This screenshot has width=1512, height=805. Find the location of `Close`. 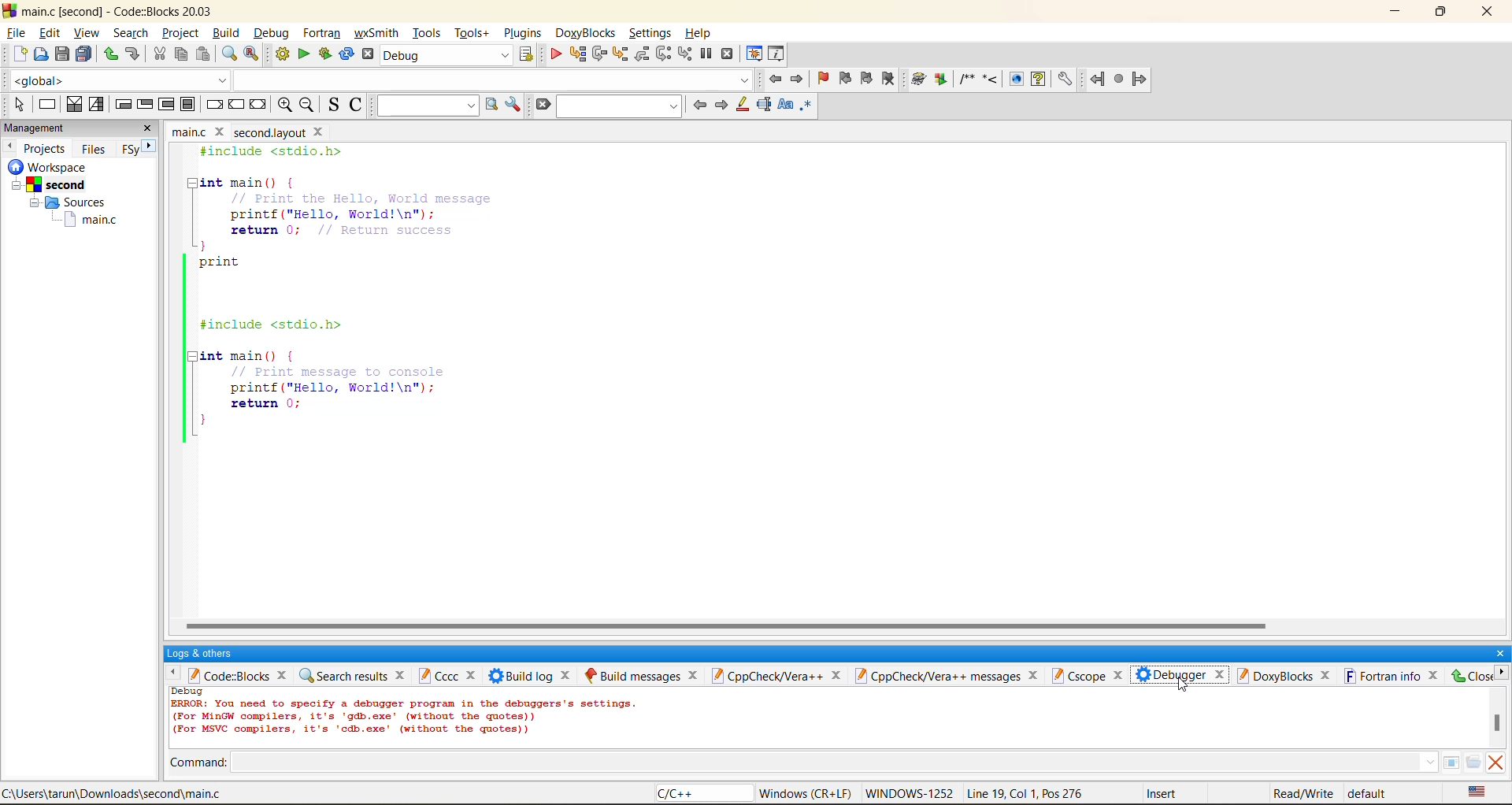

Close is located at coordinates (1472, 677).